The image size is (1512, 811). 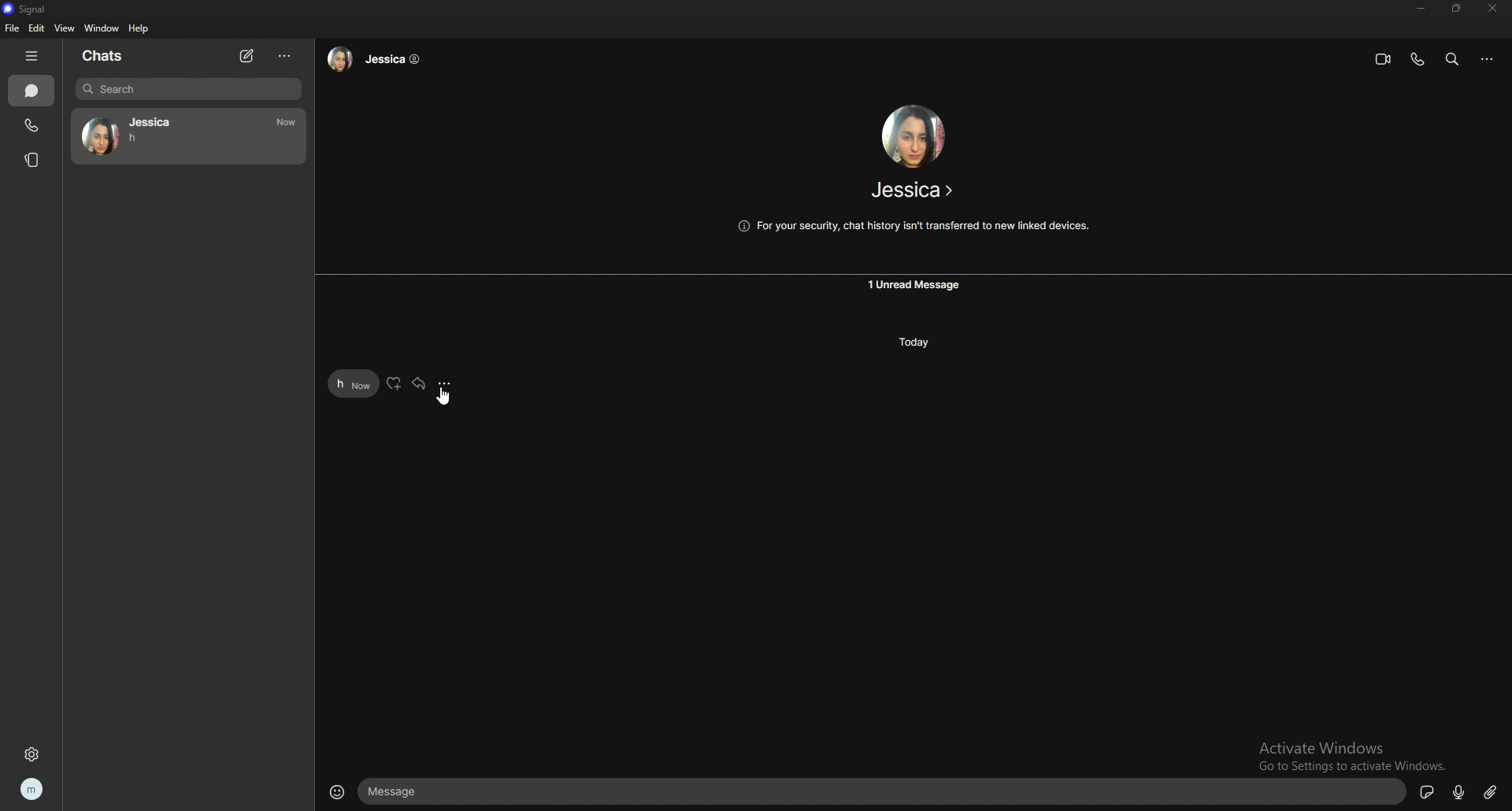 What do you see at coordinates (375, 57) in the screenshot?
I see `jessica` at bounding box center [375, 57].